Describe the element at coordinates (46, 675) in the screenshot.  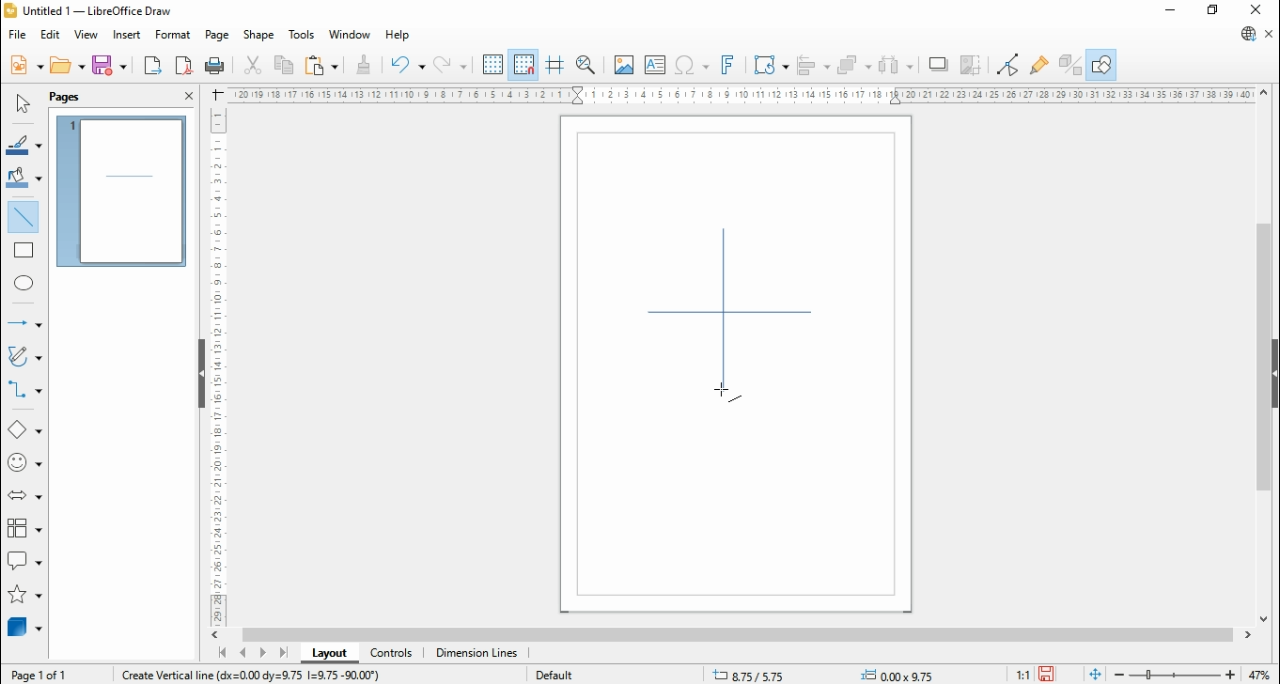
I see `page 1 of 1` at that location.